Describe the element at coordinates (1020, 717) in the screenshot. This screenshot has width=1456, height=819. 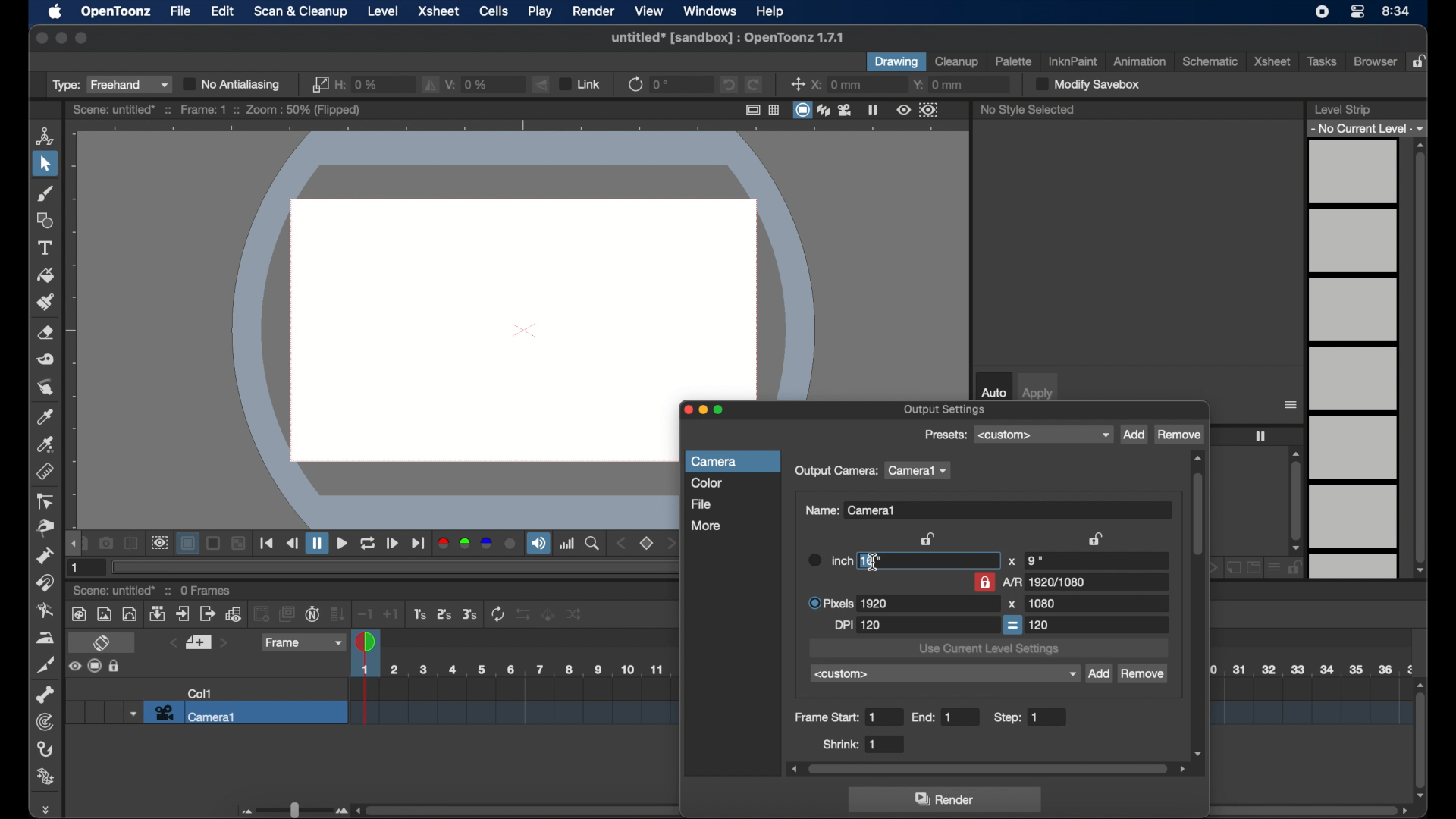
I see `step` at that location.